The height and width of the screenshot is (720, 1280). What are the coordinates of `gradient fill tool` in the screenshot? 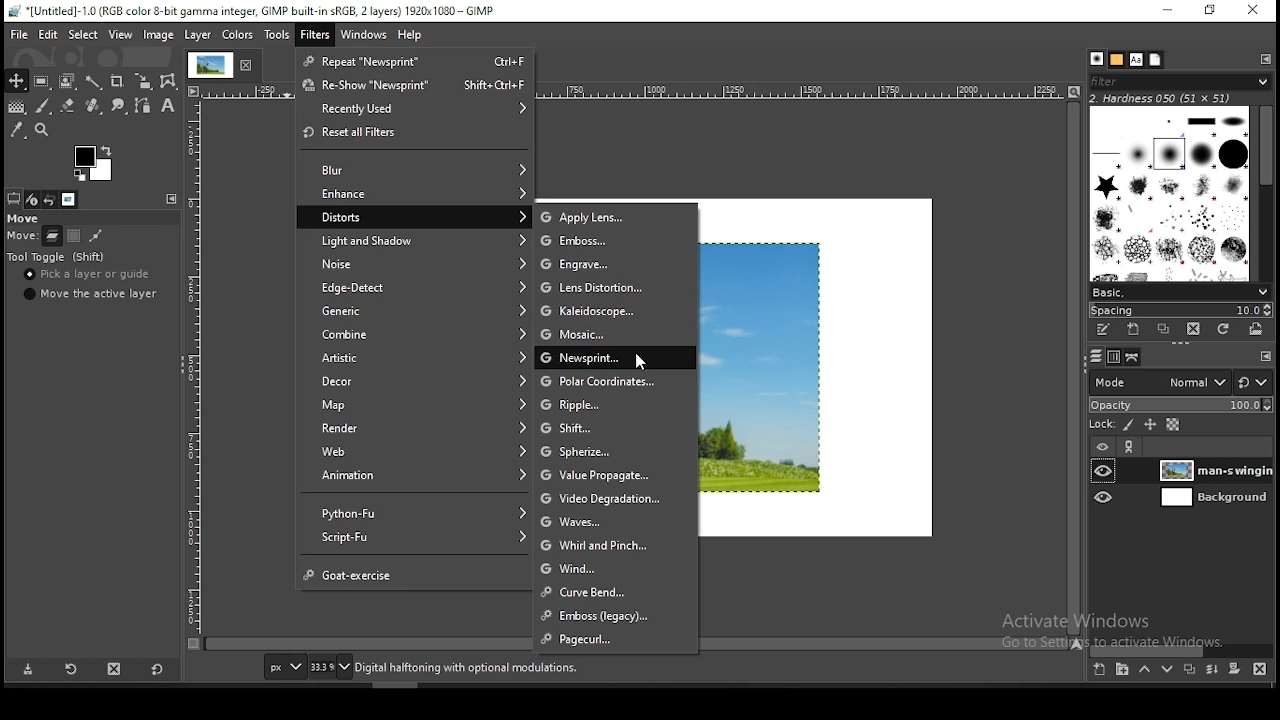 It's located at (18, 107).